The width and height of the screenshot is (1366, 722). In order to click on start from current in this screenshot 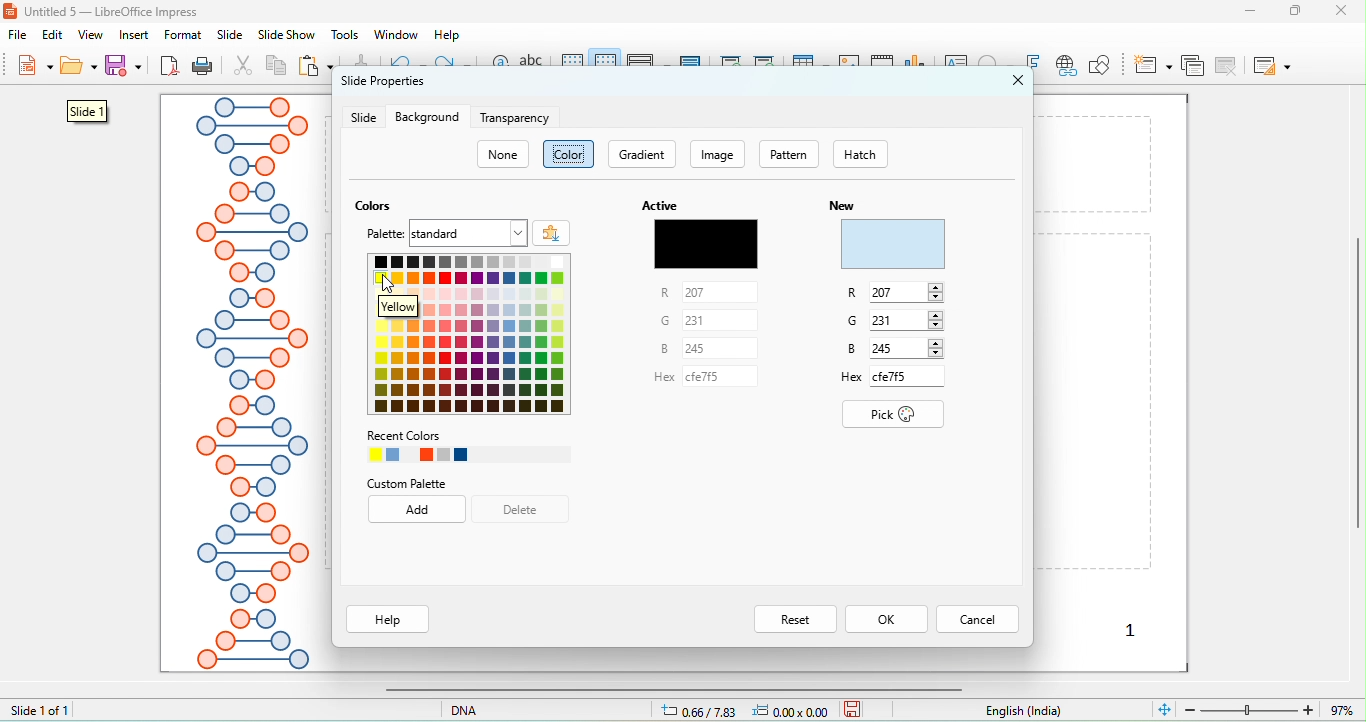, I will do `click(764, 63)`.